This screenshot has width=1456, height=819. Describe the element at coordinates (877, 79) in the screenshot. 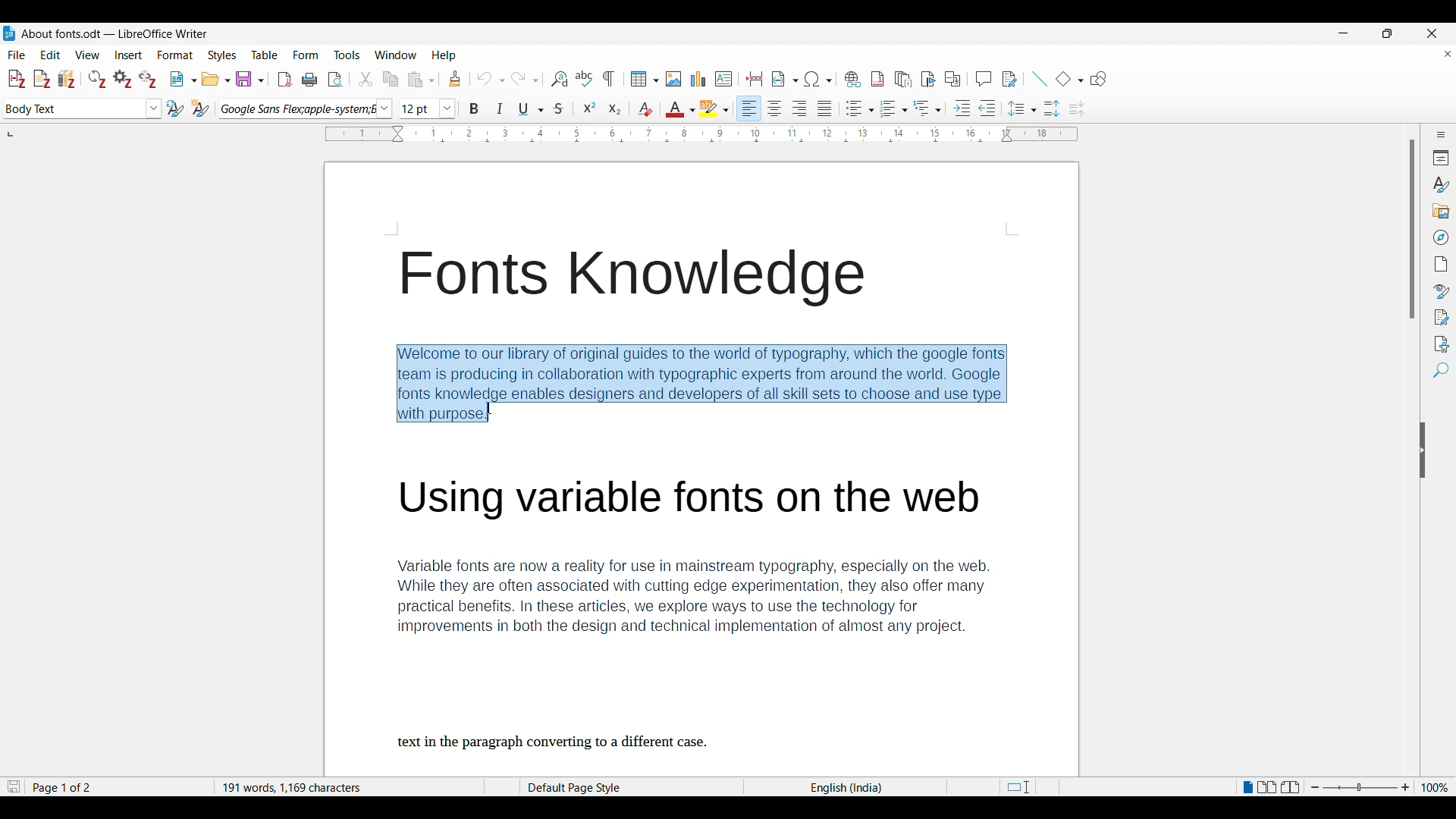

I see `Insert footnote` at that location.